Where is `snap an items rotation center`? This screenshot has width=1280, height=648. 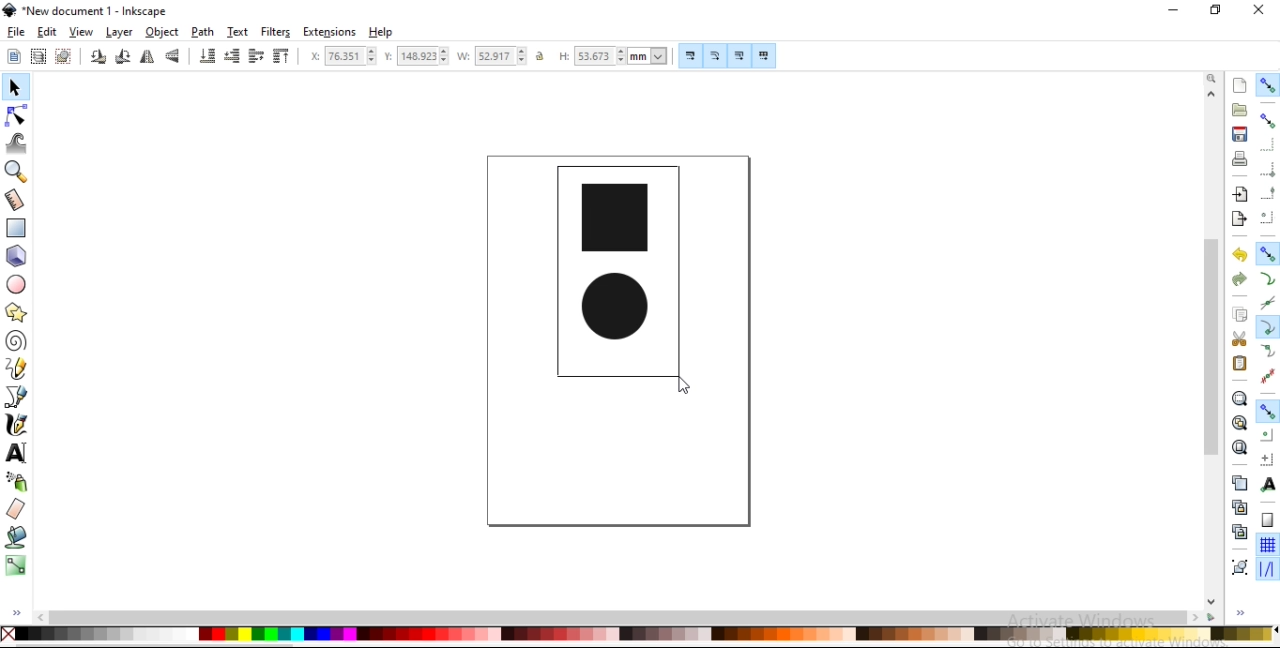
snap an items rotation center is located at coordinates (1266, 458).